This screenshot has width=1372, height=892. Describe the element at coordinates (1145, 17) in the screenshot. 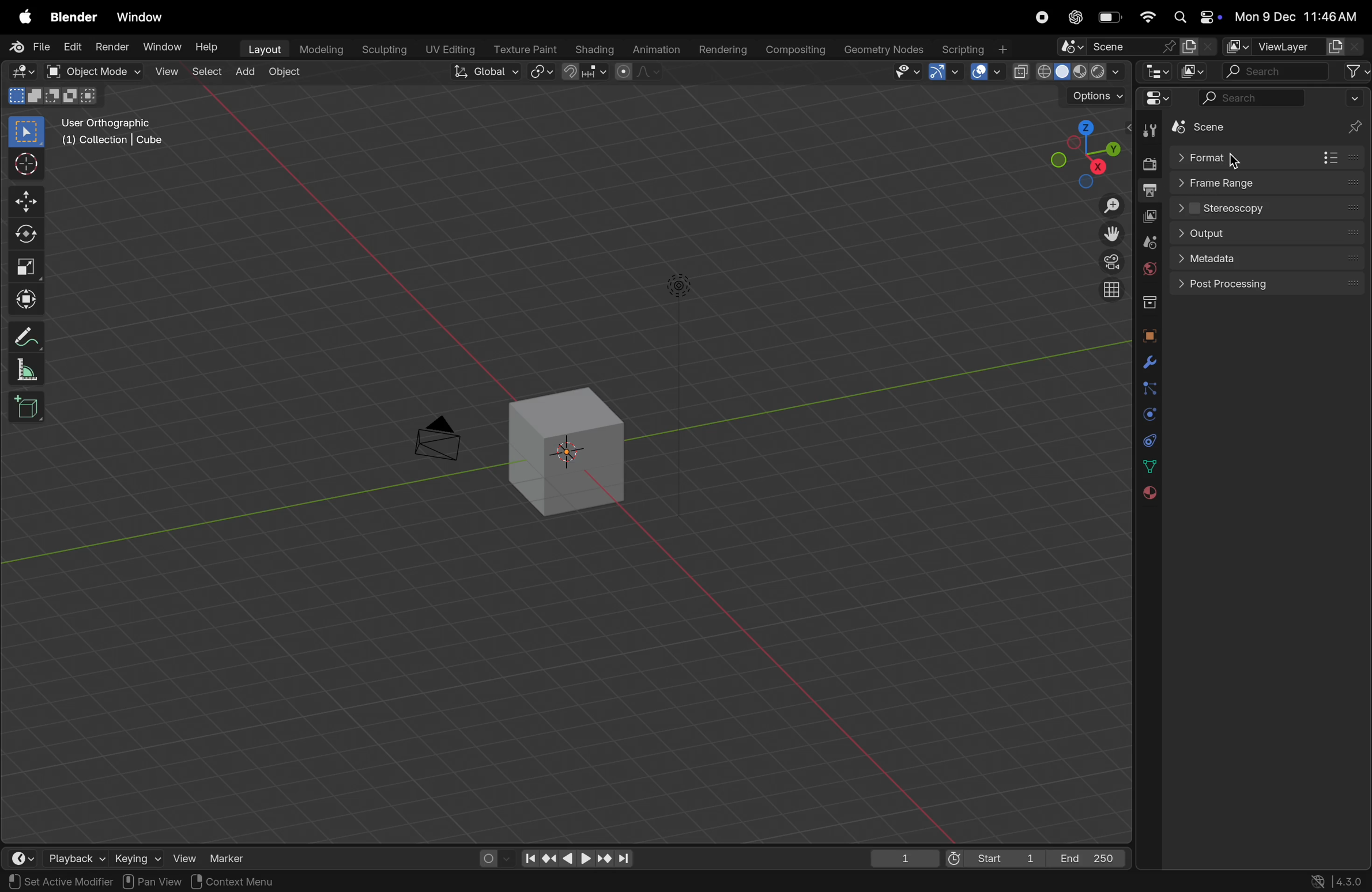

I see `wifi` at that location.